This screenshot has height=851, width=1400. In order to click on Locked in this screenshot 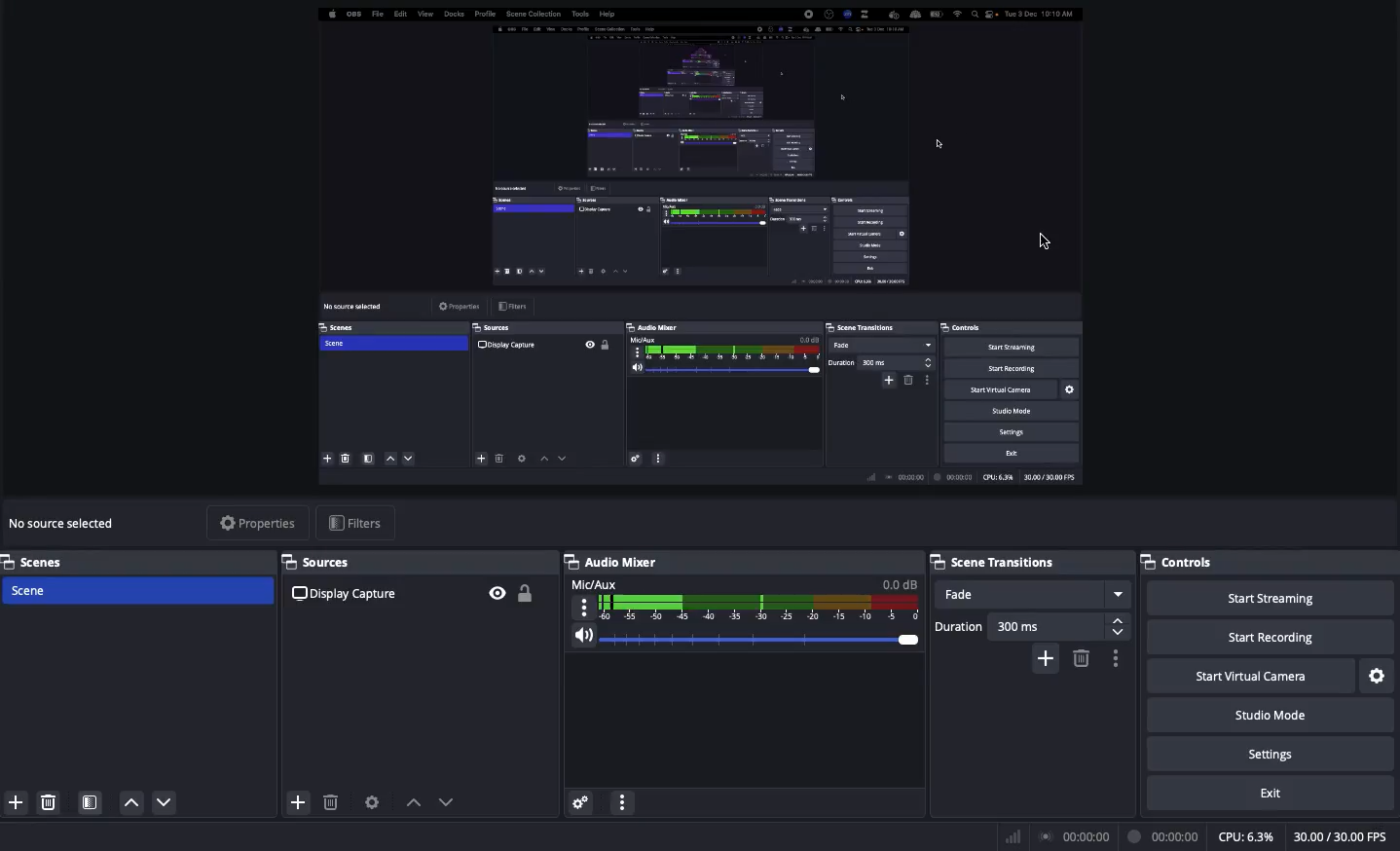, I will do `click(523, 593)`.